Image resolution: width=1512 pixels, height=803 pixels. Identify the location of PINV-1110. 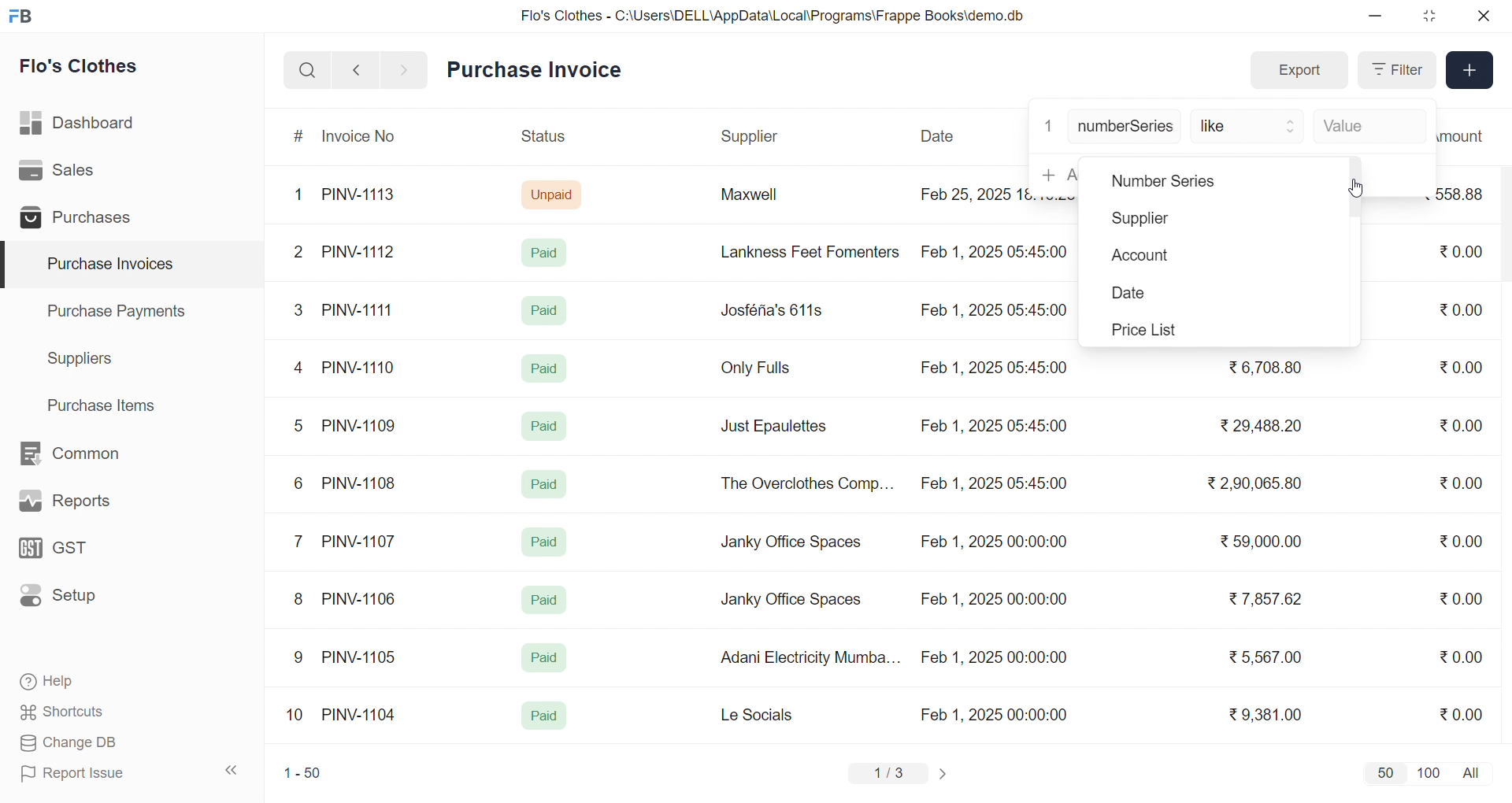
(360, 367).